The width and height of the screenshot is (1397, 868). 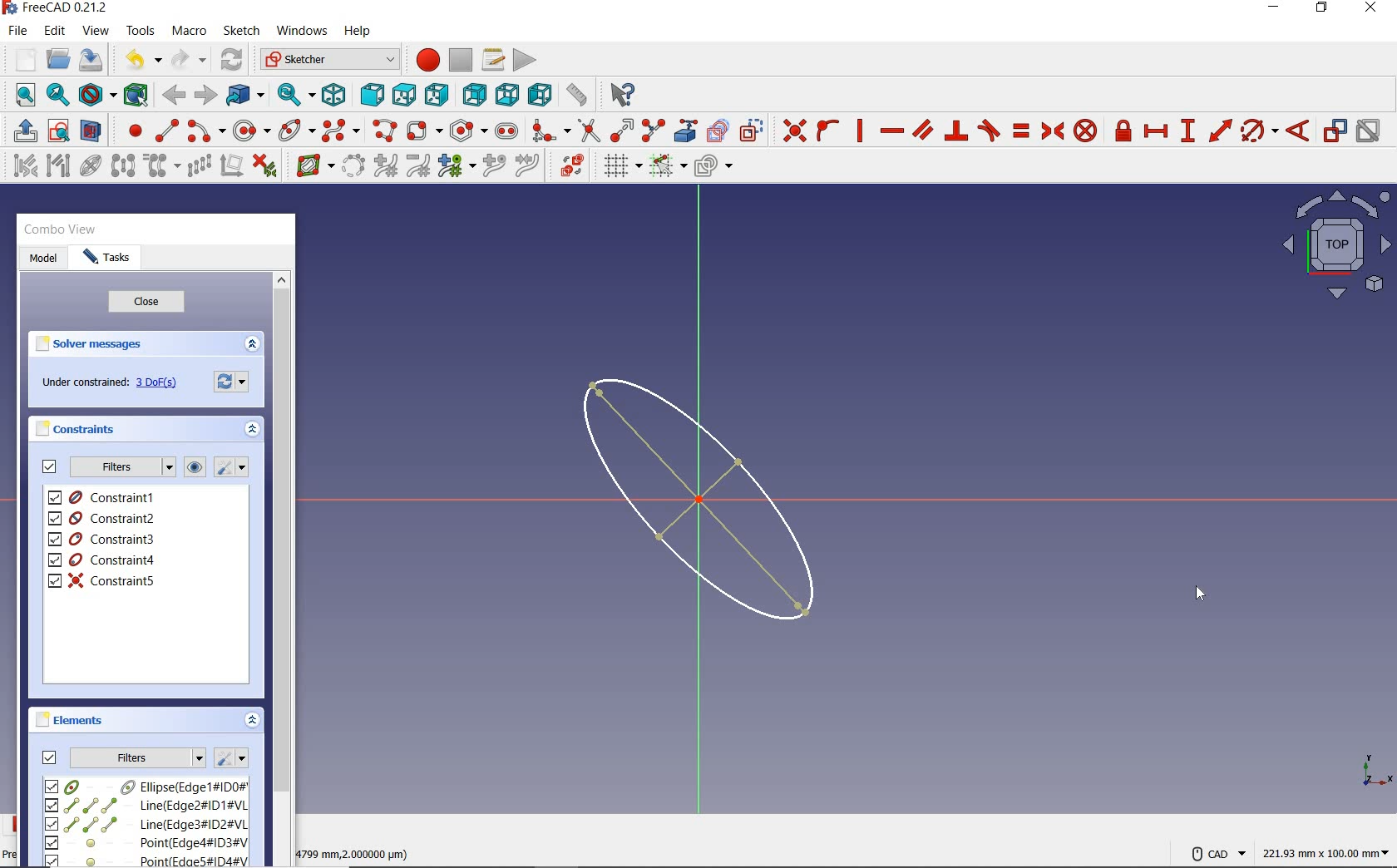 What do you see at coordinates (199, 167) in the screenshot?
I see `rectangular array` at bounding box center [199, 167].